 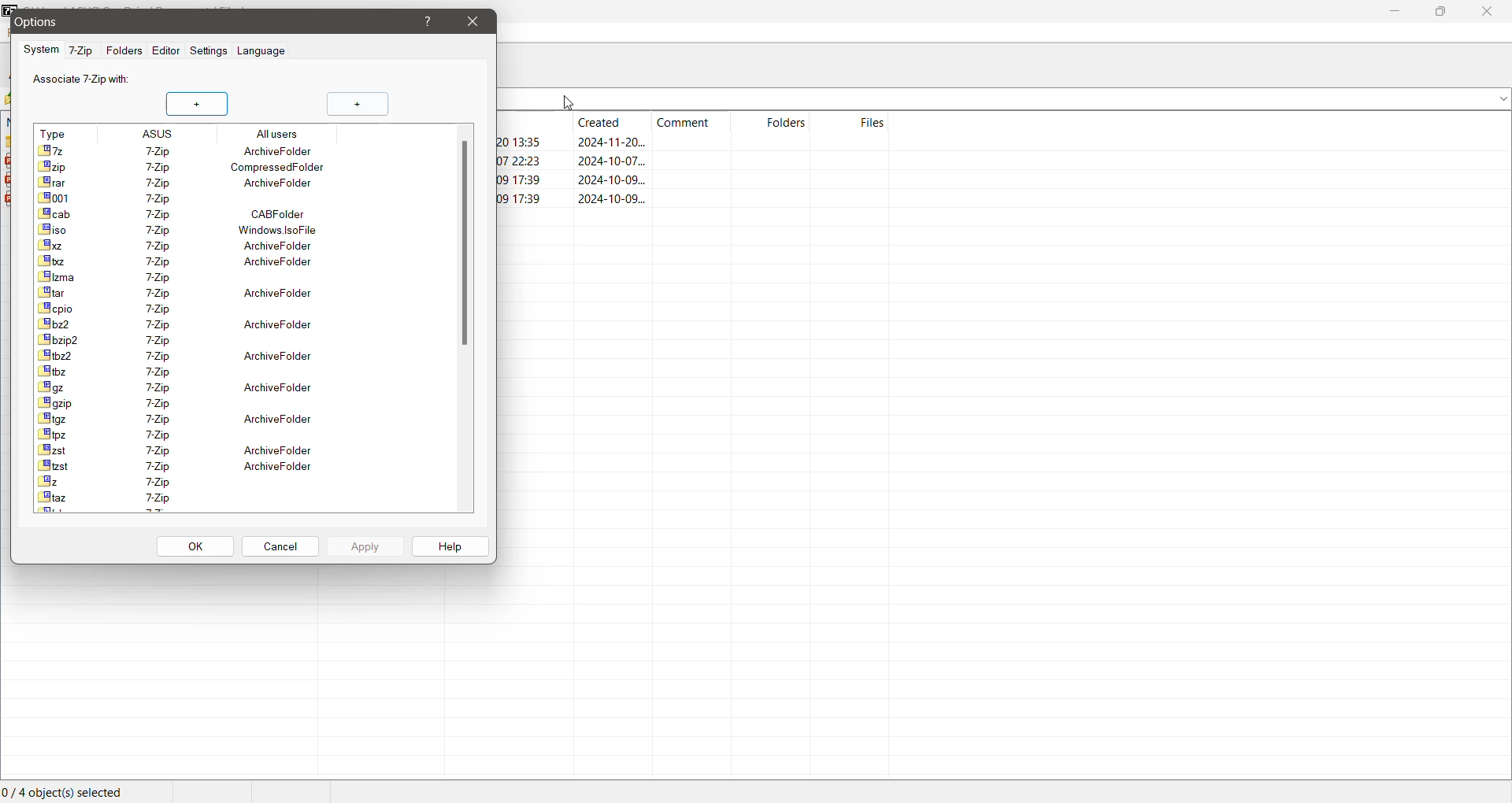 I want to click on Close, so click(x=1485, y=12).